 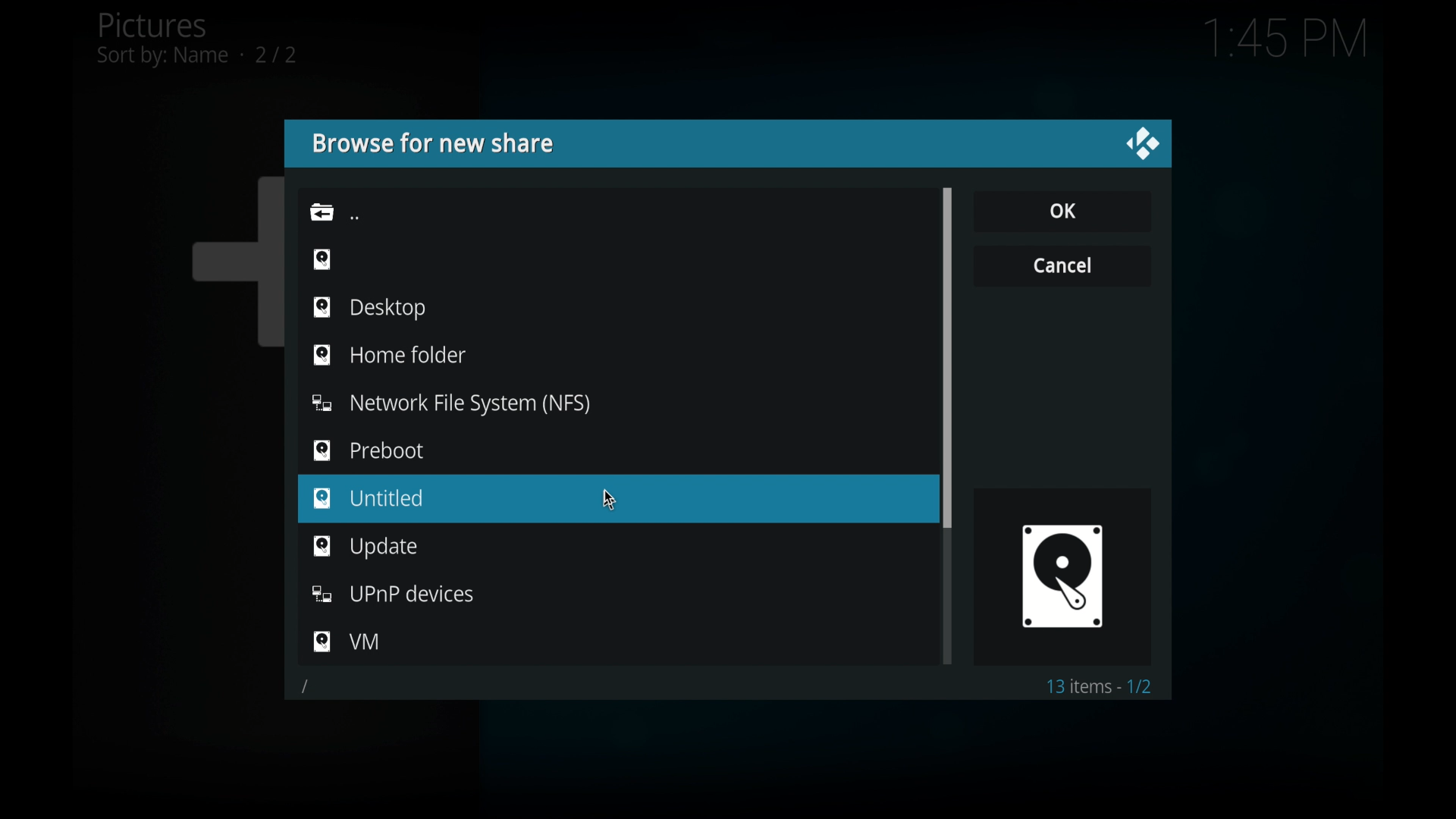 I want to click on ok, so click(x=1062, y=209).